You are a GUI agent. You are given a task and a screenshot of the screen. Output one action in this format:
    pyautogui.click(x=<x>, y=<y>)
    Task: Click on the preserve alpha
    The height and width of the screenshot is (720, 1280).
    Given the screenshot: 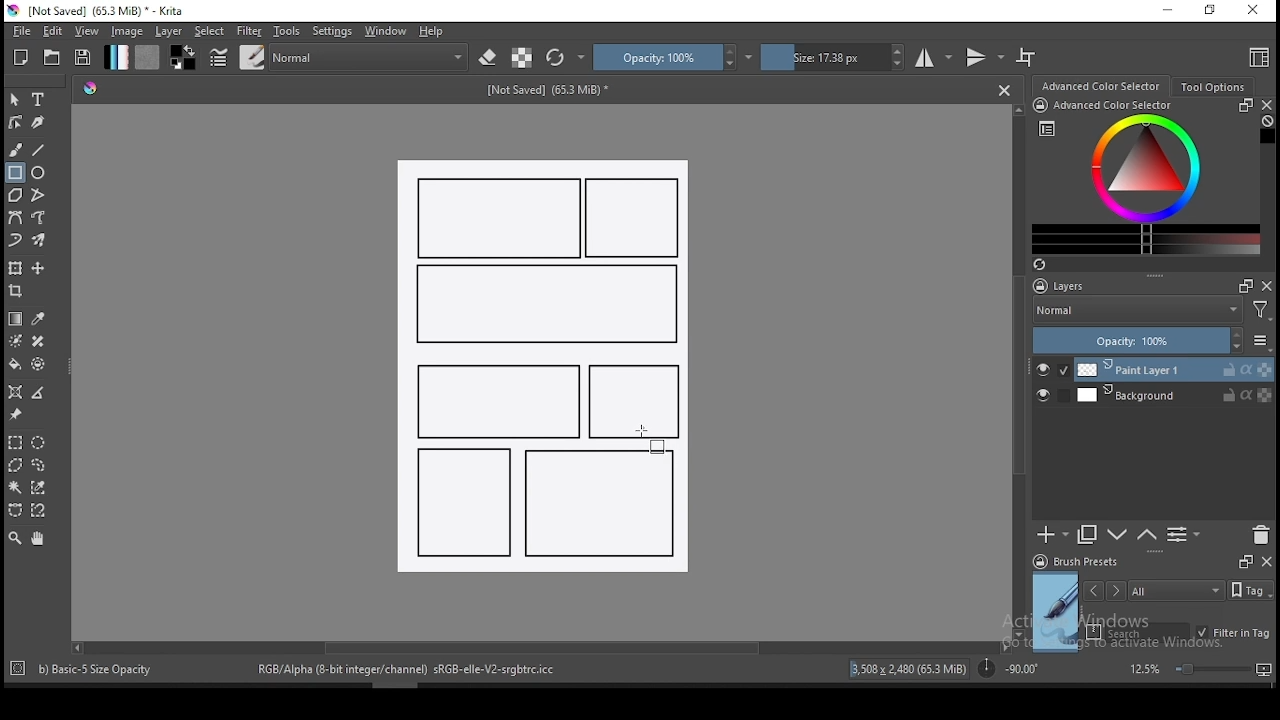 What is the action you would take?
    pyautogui.click(x=522, y=59)
    